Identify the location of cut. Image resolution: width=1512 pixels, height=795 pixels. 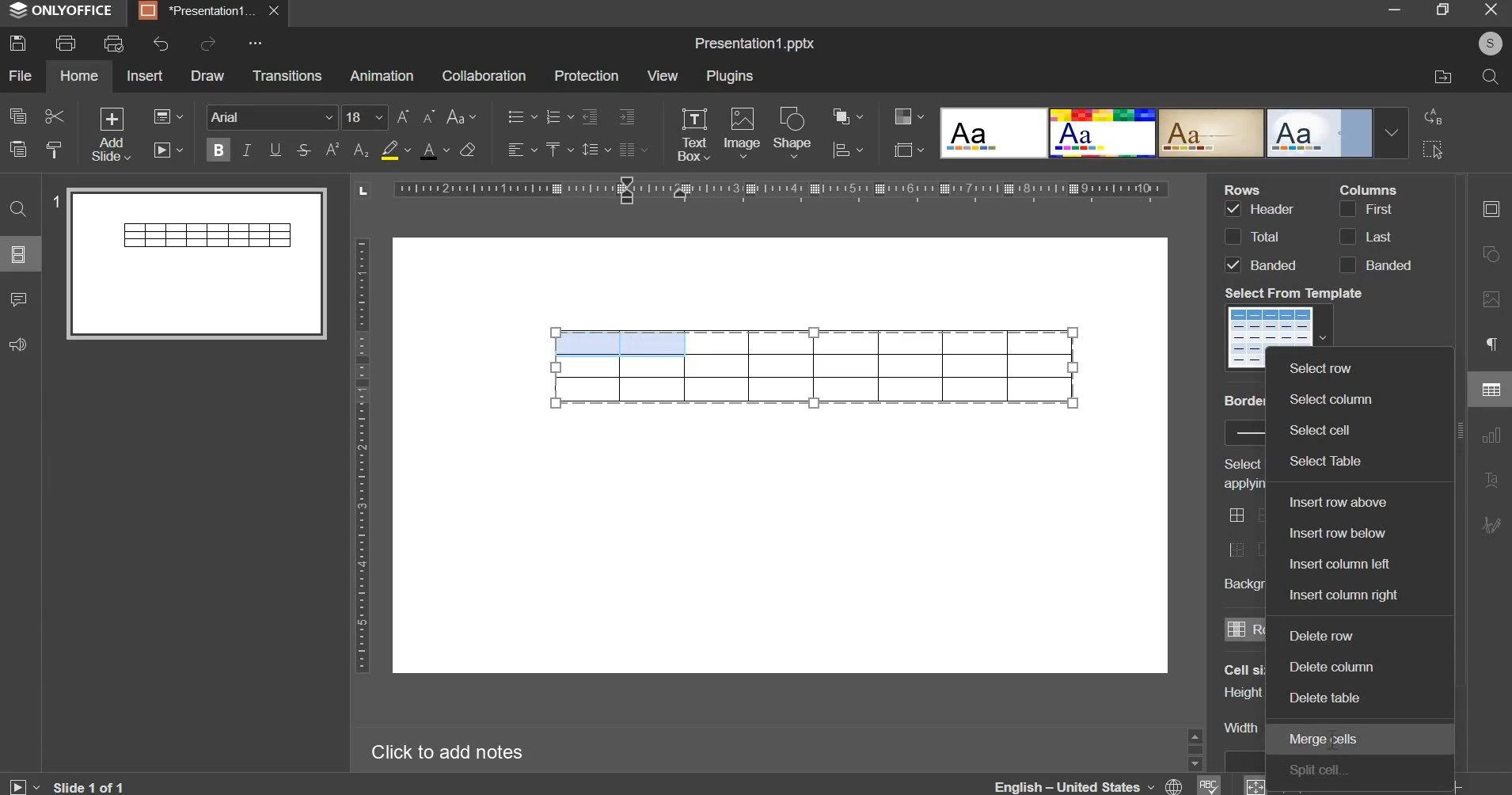
(53, 117).